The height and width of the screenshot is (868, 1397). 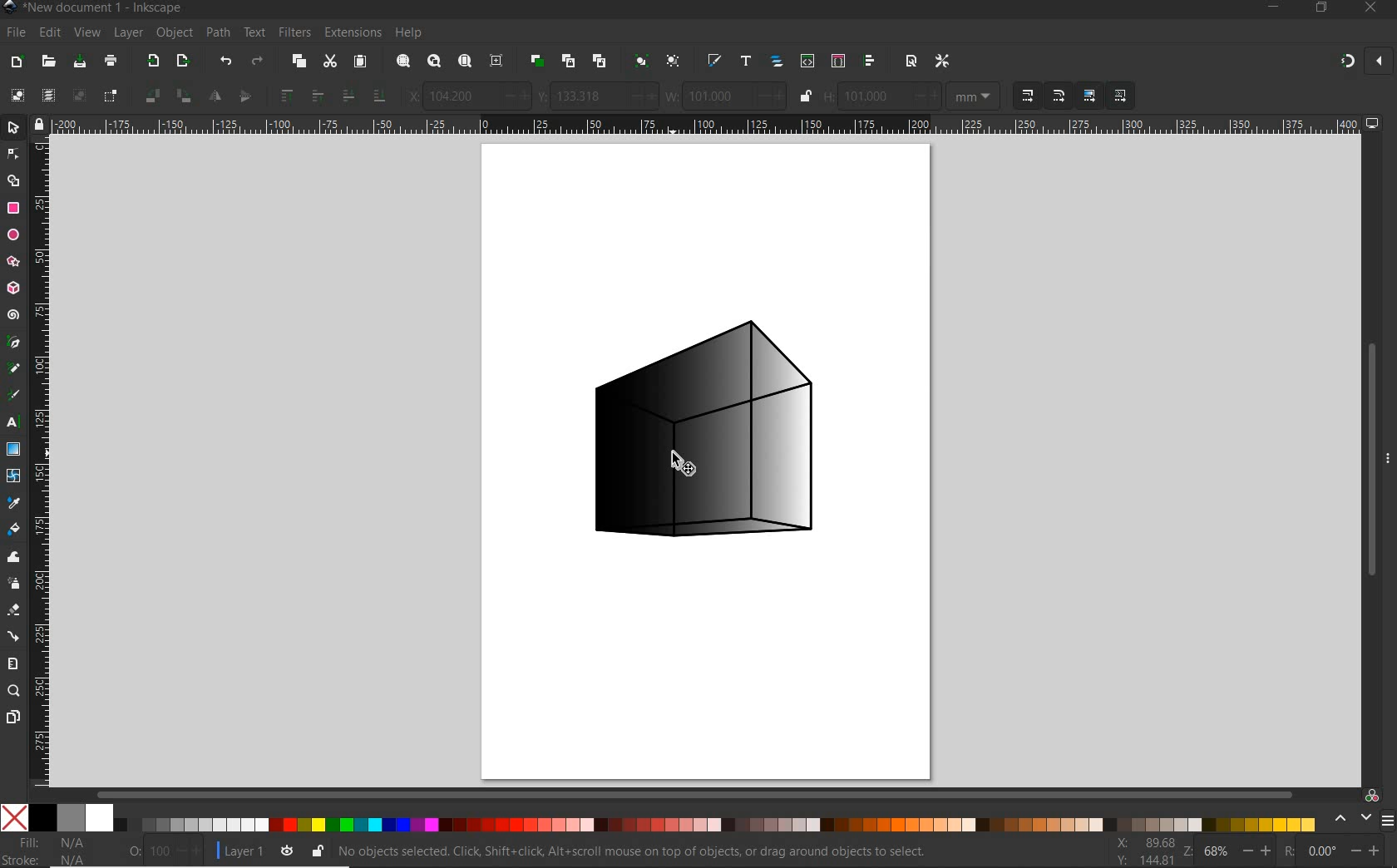 I want to click on PENCIL TOOL, so click(x=14, y=370).